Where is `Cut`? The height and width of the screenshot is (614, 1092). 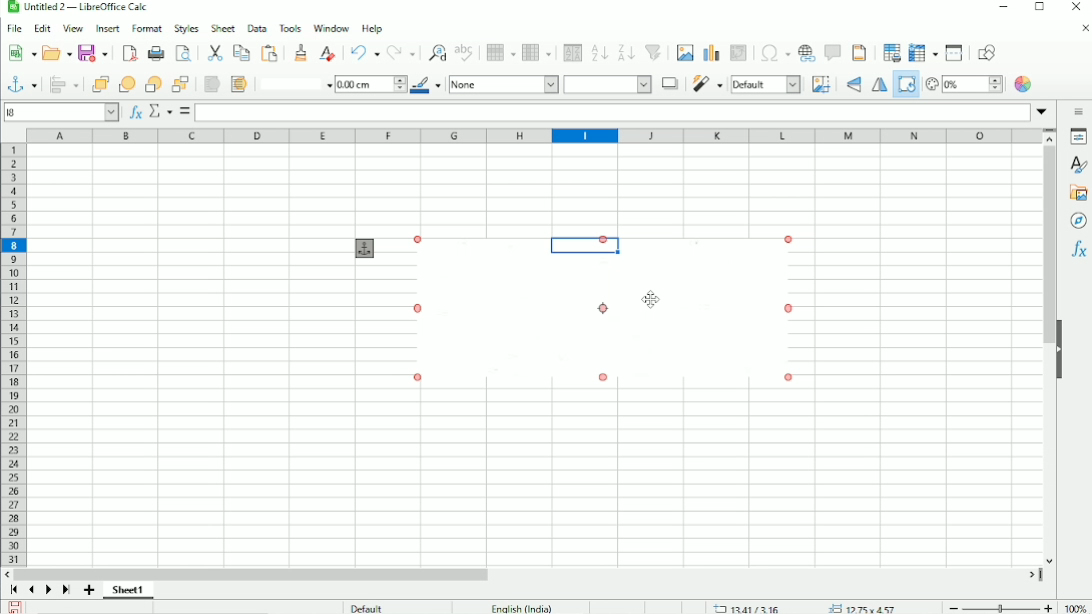 Cut is located at coordinates (215, 53).